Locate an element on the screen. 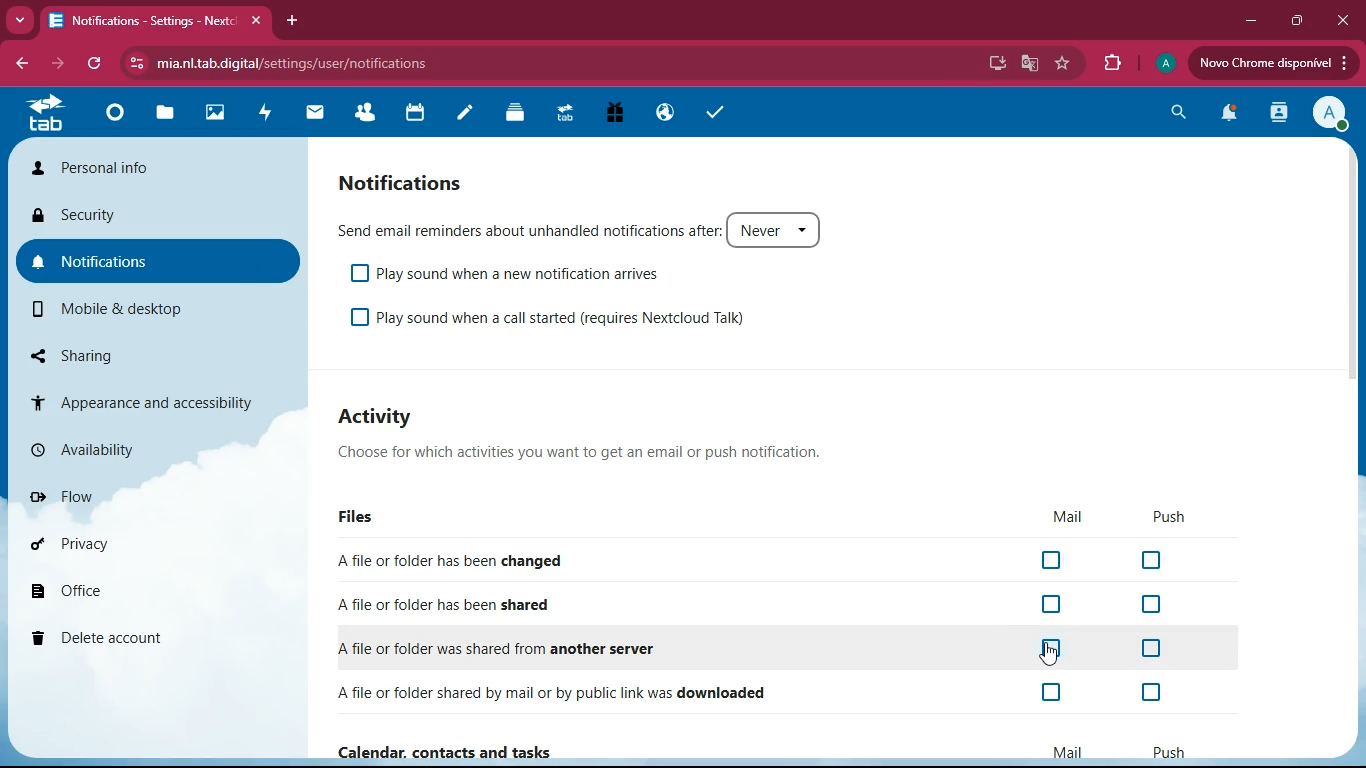 The height and width of the screenshot is (768, 1366). another server is located at coordinates (517, 647).